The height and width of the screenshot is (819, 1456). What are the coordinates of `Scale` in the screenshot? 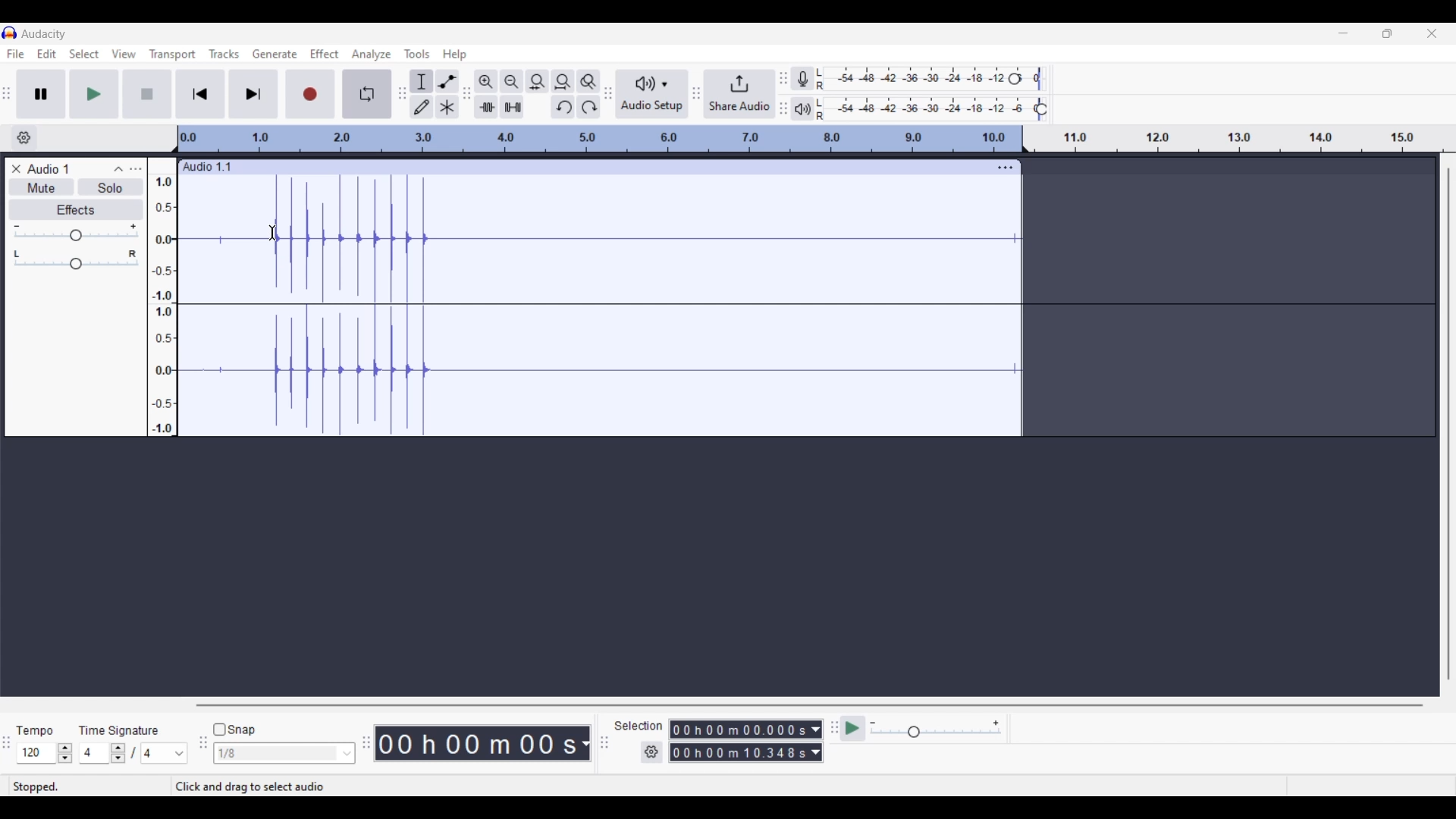 It's located at (600, 139).